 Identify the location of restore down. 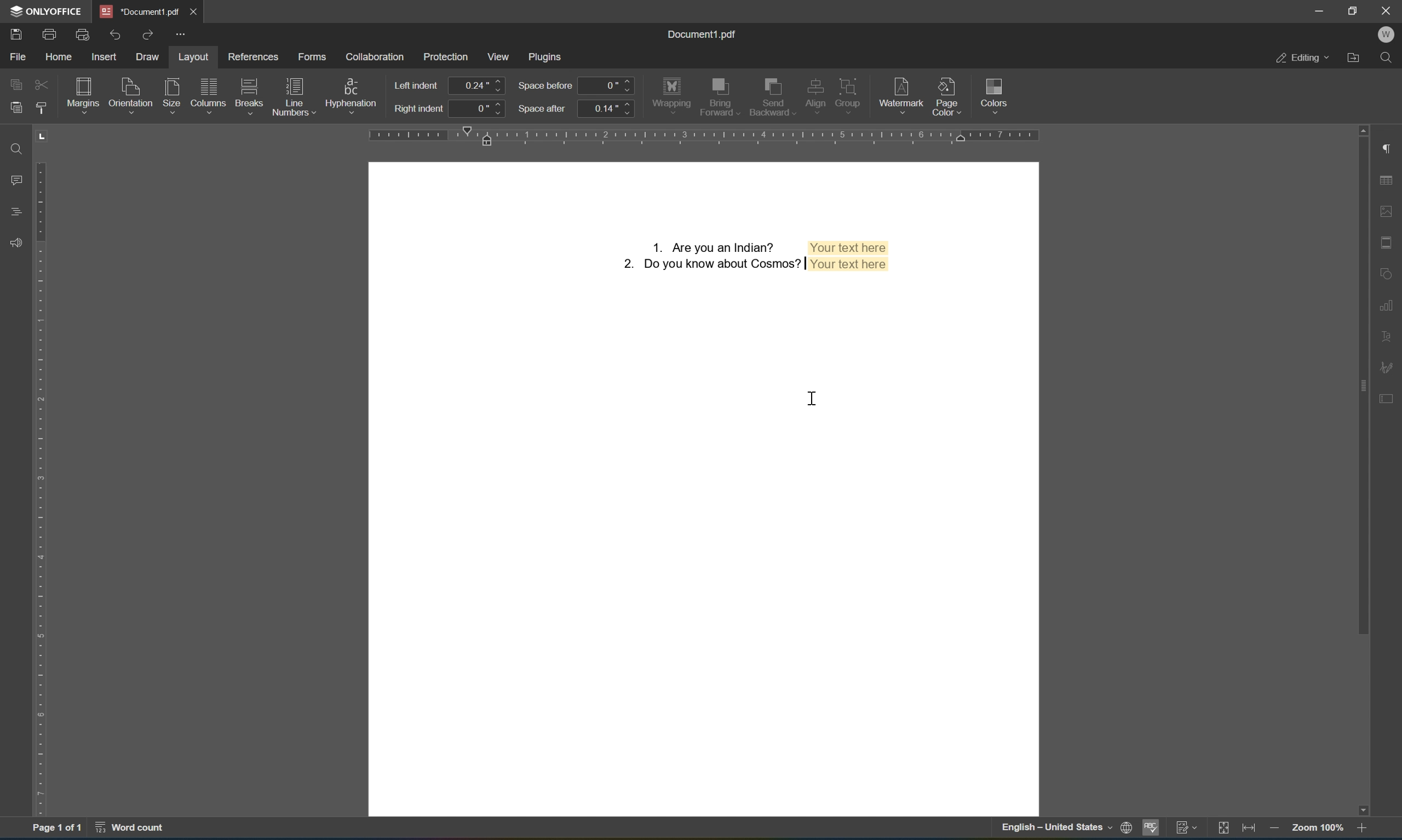
(1353, 11).